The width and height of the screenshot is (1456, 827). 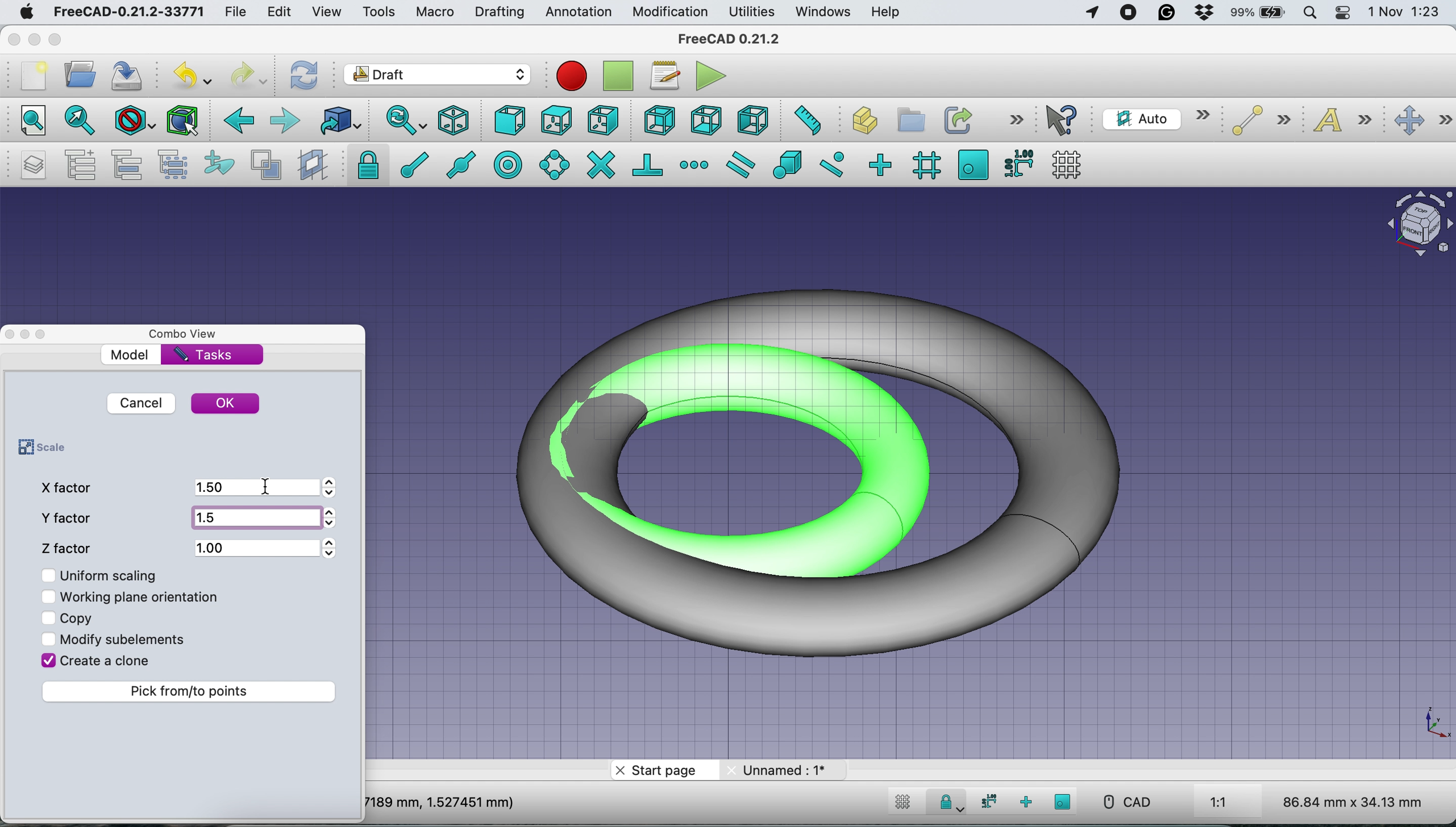 I want to click on Toggle Overlay, so click(x=47, y=335).